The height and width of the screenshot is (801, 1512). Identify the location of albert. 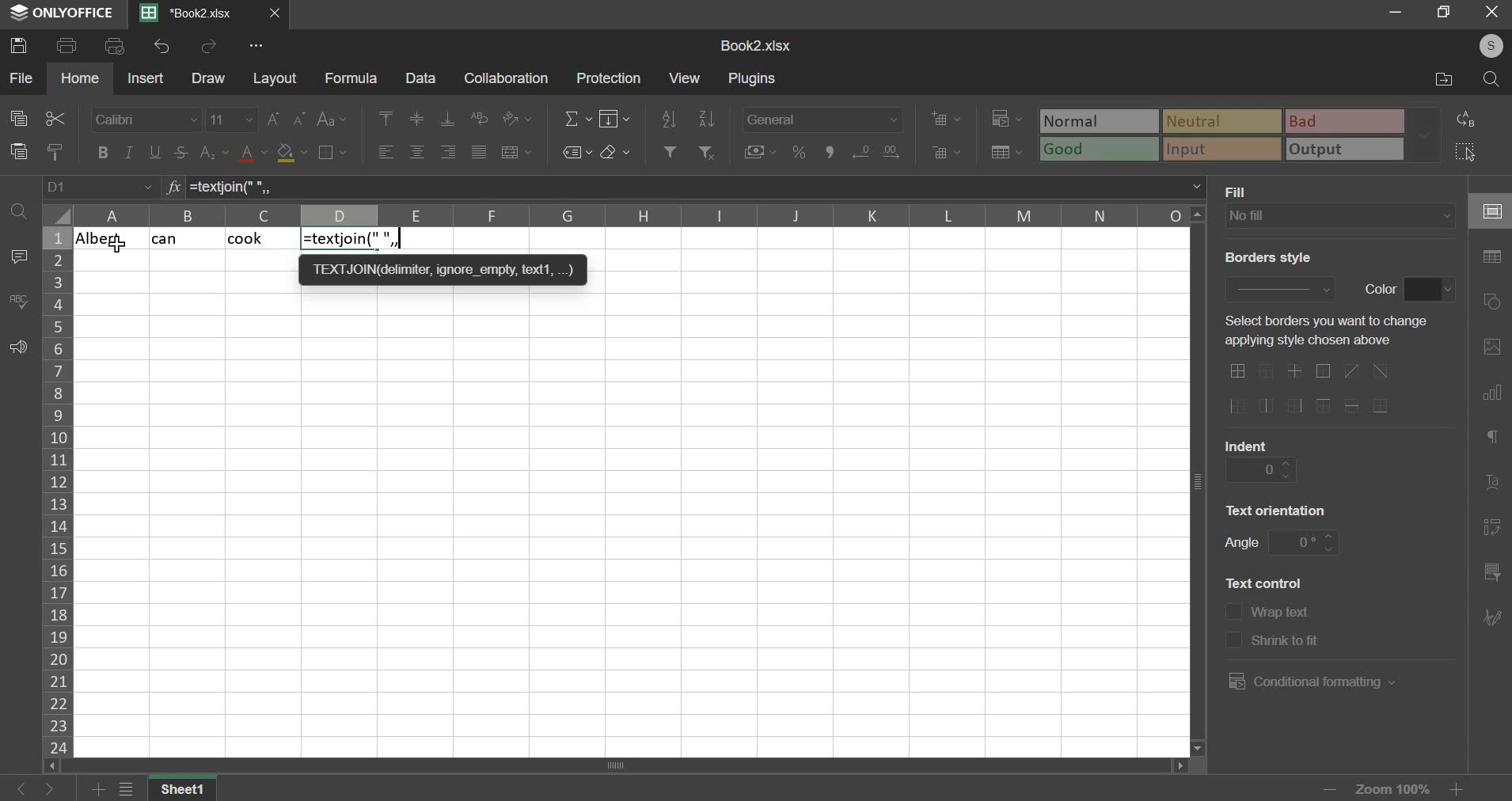
(112, 239).